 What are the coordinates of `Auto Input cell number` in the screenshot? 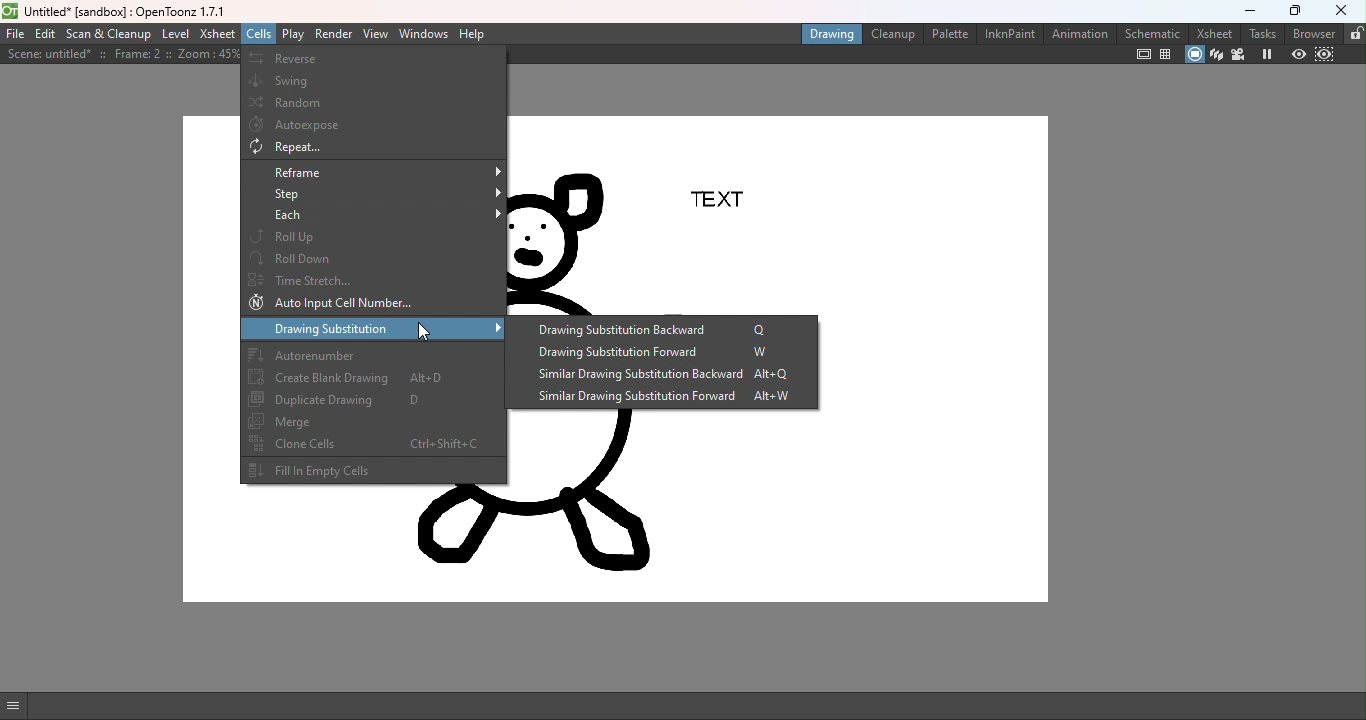 It's located at (376, 305).